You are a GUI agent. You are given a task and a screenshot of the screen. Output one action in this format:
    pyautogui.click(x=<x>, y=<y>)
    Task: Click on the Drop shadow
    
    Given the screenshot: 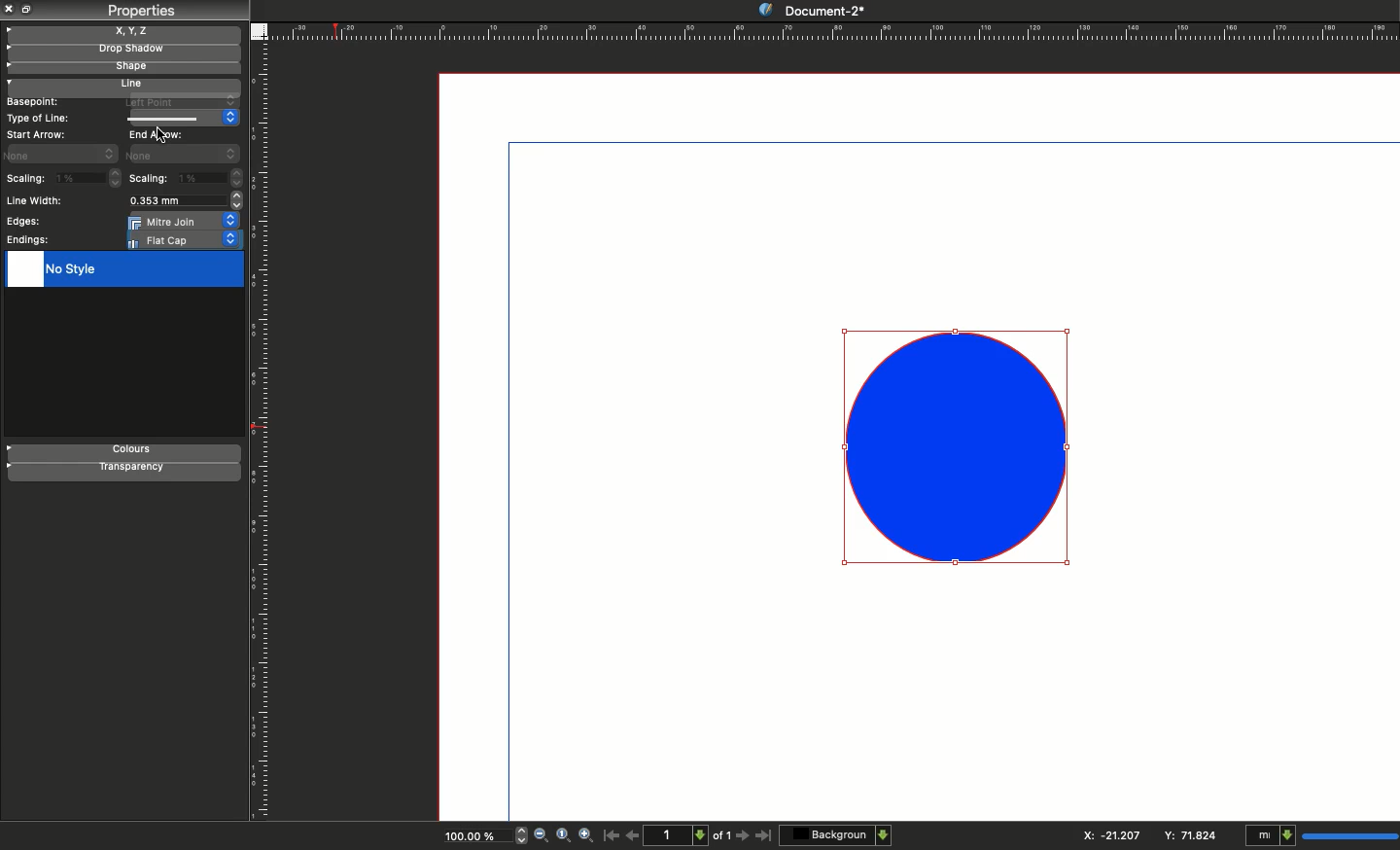 What is the action you would take?
    pyautogui.click(x=121, y=51)
    